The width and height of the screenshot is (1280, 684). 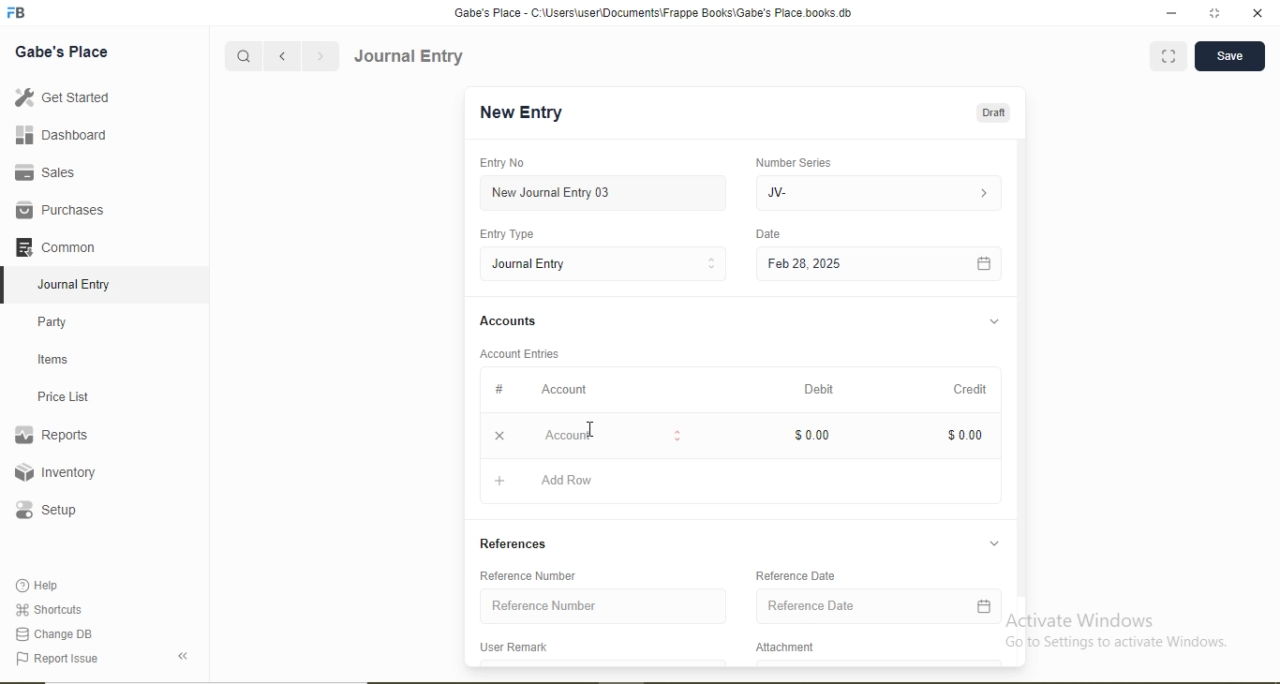 What do you see at coordinates (520, 113) in the screenshot?
I see `New Entry` at bounding box center [520, 113].